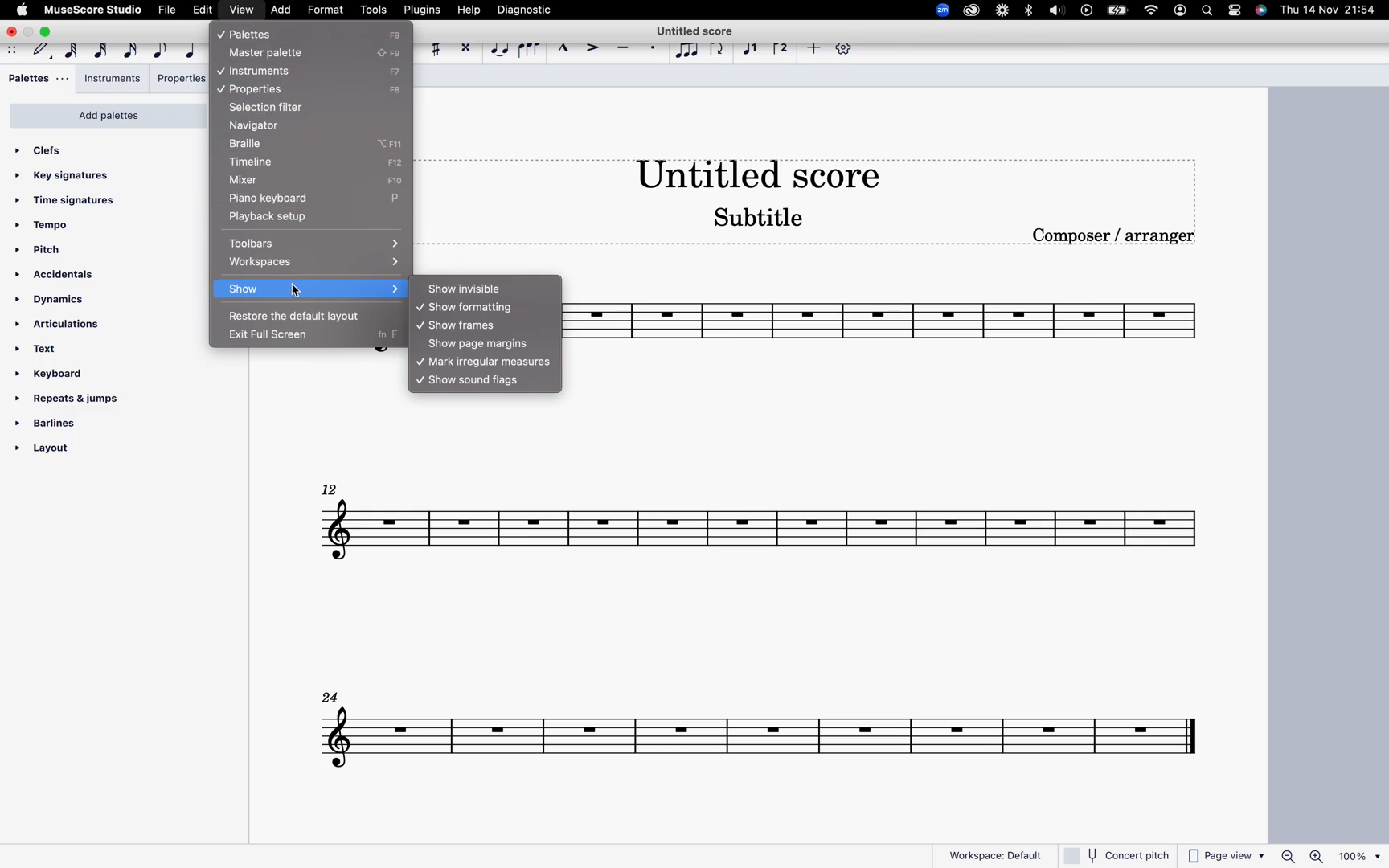 The width and height of the screenshot is (1389, 868). What do you see at coordinates (263, 89) in the screenshot?
I see `properties` at bounding box center [263, 89].